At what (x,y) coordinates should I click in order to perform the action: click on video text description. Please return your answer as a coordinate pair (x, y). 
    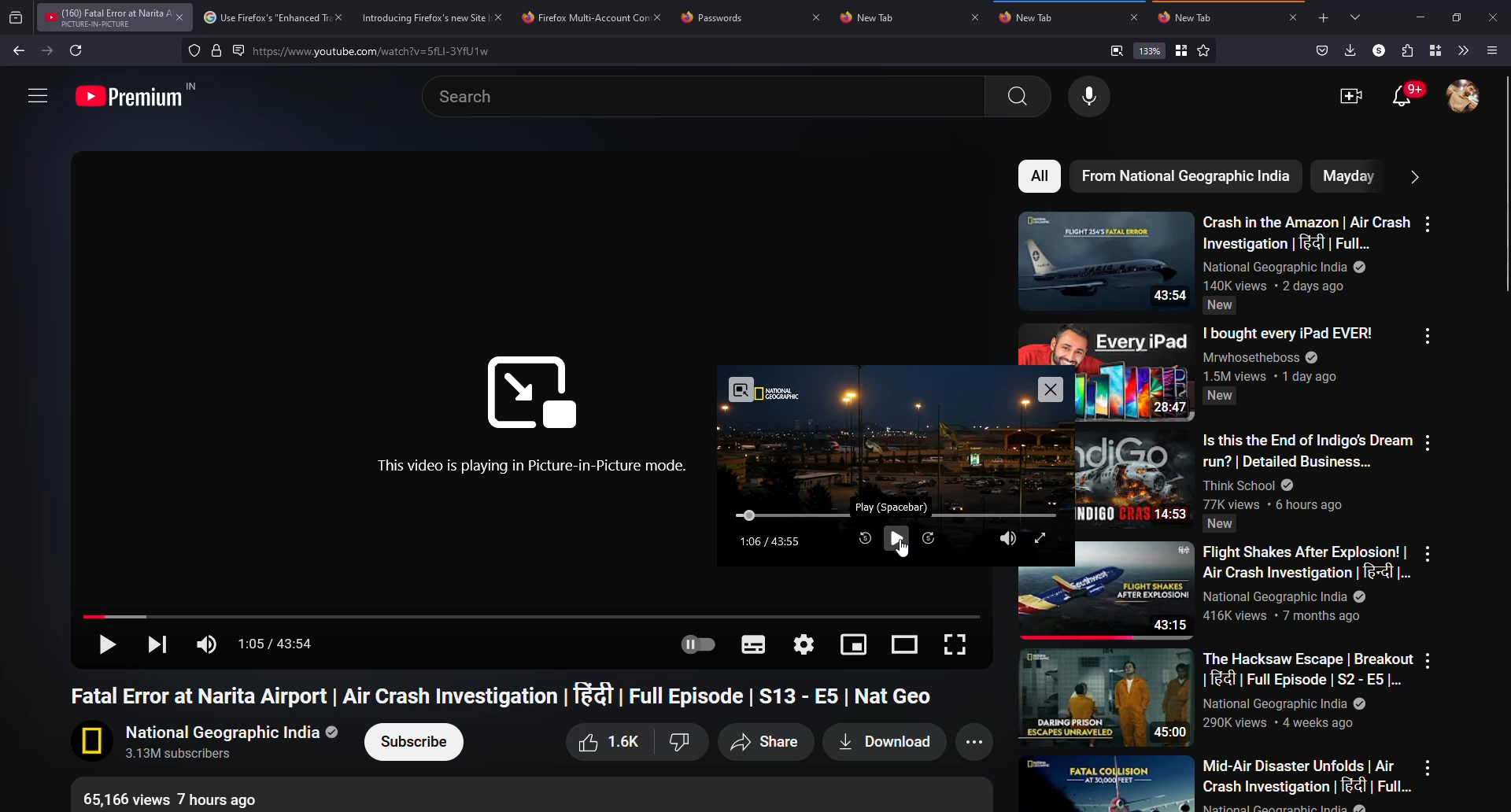
    Looking at the image, I should click on (1308, 690).